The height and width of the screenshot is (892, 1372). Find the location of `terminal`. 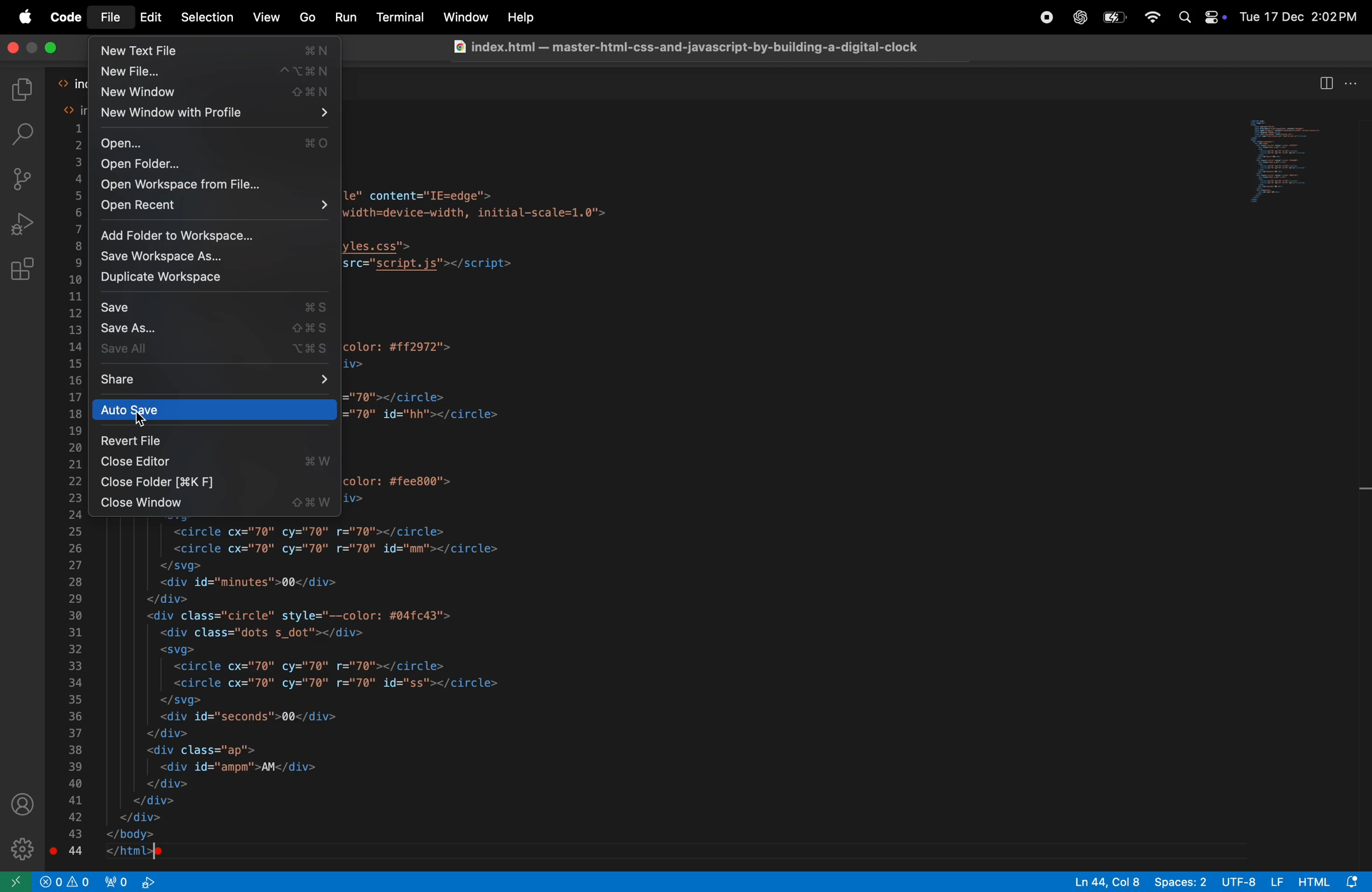

terminal is located at coordinates (404, 18).